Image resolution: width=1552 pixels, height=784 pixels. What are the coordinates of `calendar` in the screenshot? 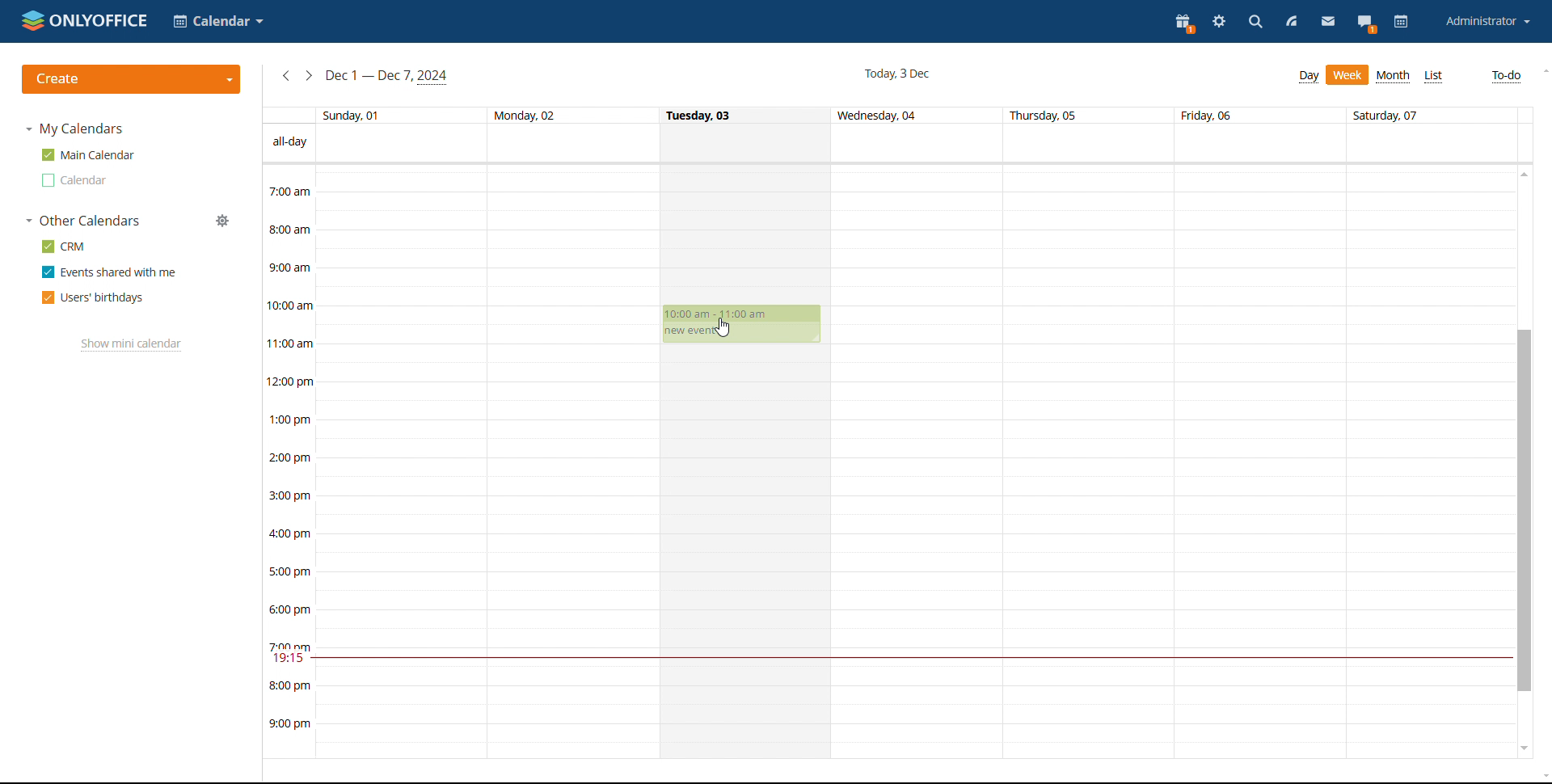 It's located at (1401, 23).